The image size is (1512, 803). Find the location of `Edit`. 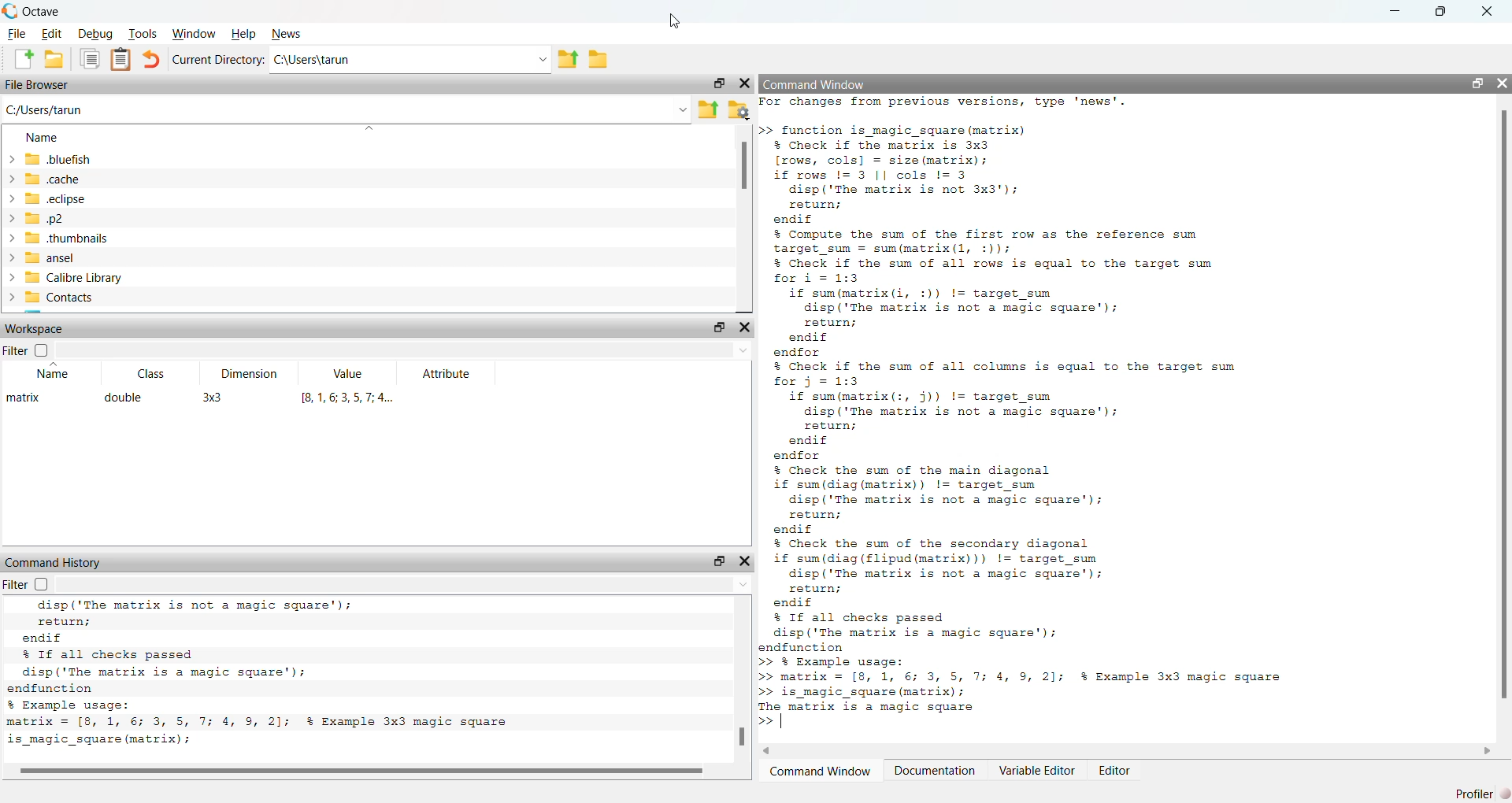

Edit is located at coordinates (54, 35).